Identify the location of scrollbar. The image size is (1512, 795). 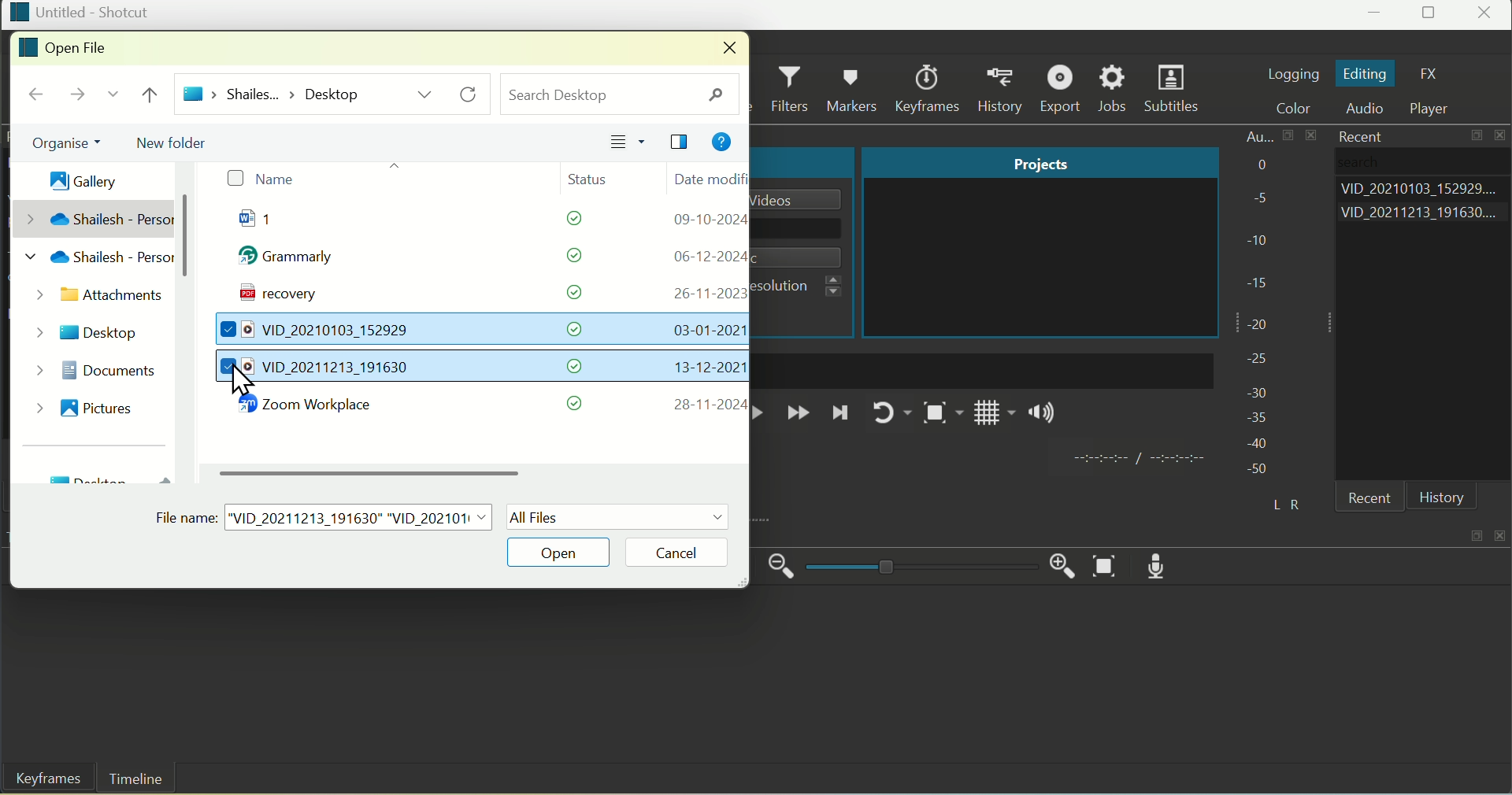
(187, 235).